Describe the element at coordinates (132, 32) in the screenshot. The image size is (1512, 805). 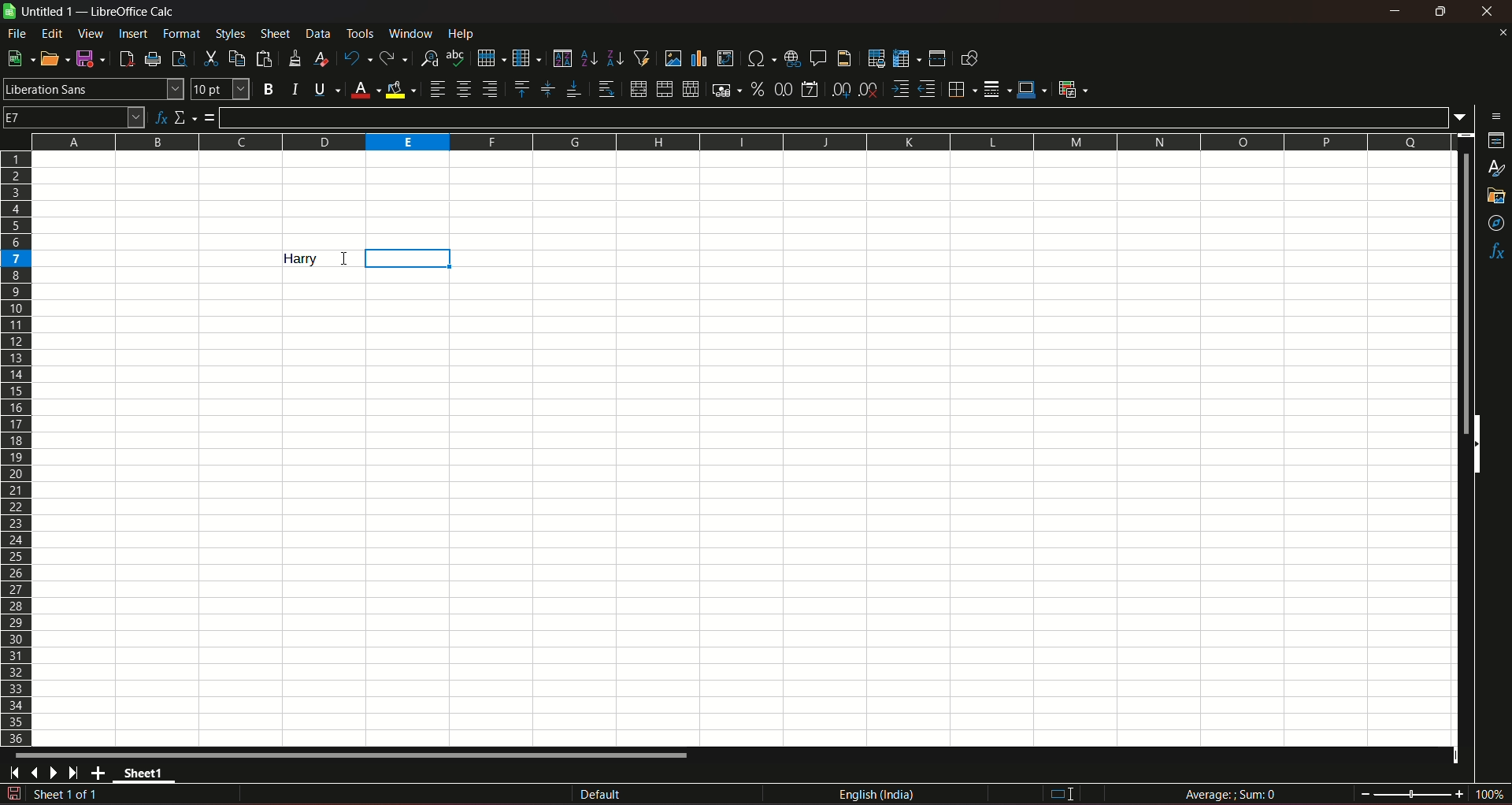
I see `insert` at that location.